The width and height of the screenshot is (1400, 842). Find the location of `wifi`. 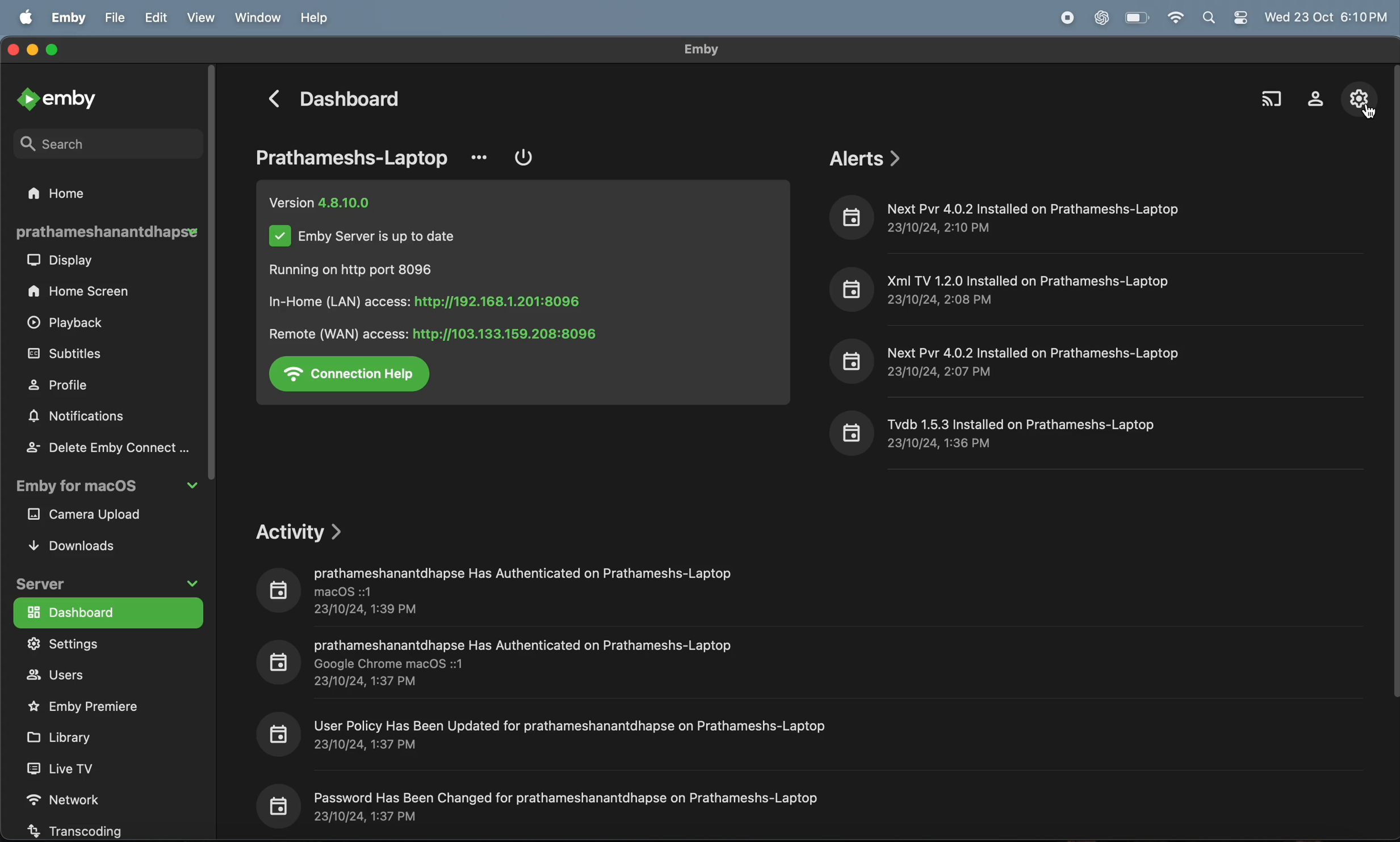

wifi is located at coordinates (1175, 18).